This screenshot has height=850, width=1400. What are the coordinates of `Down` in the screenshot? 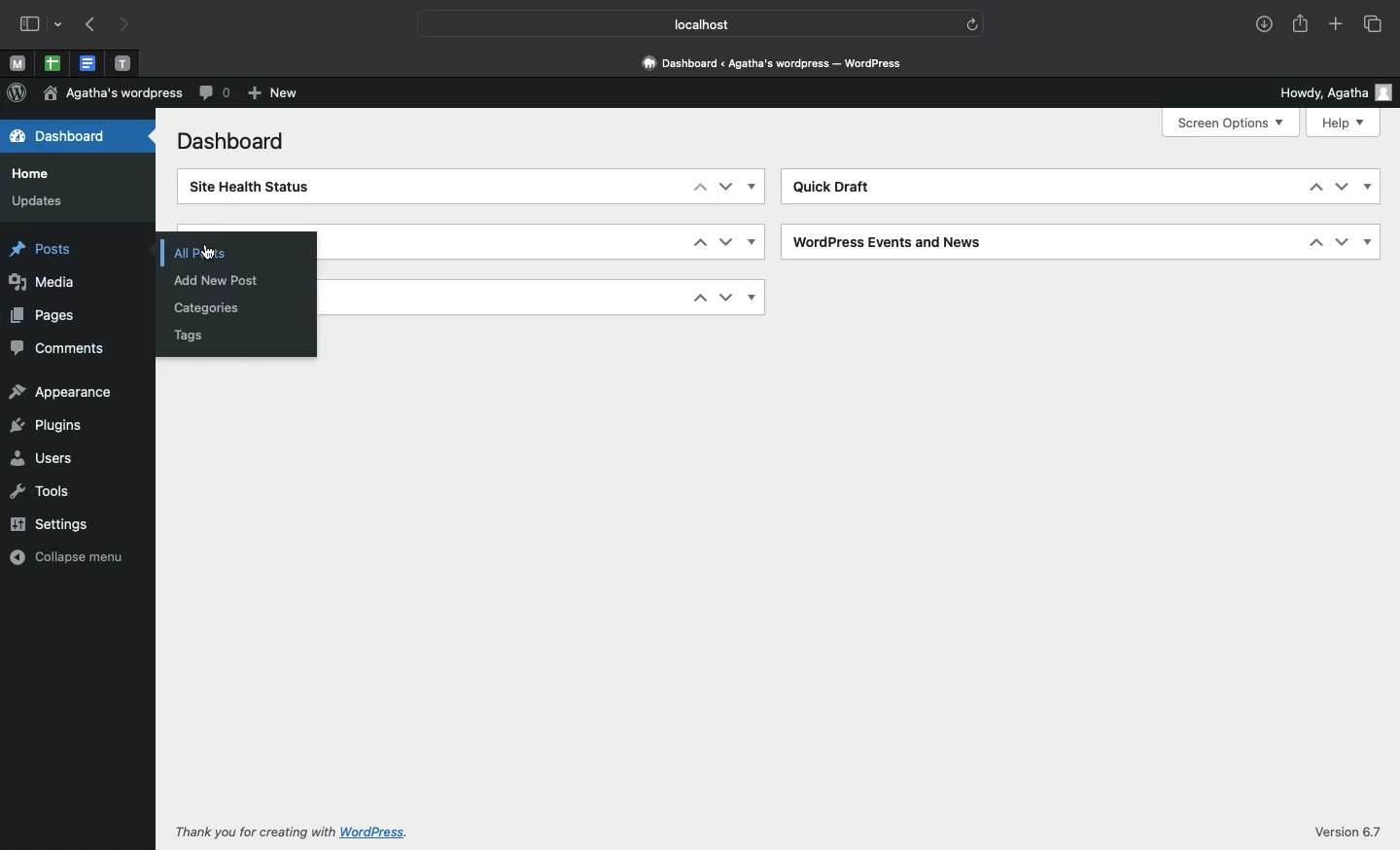 It's located at (725, 241).